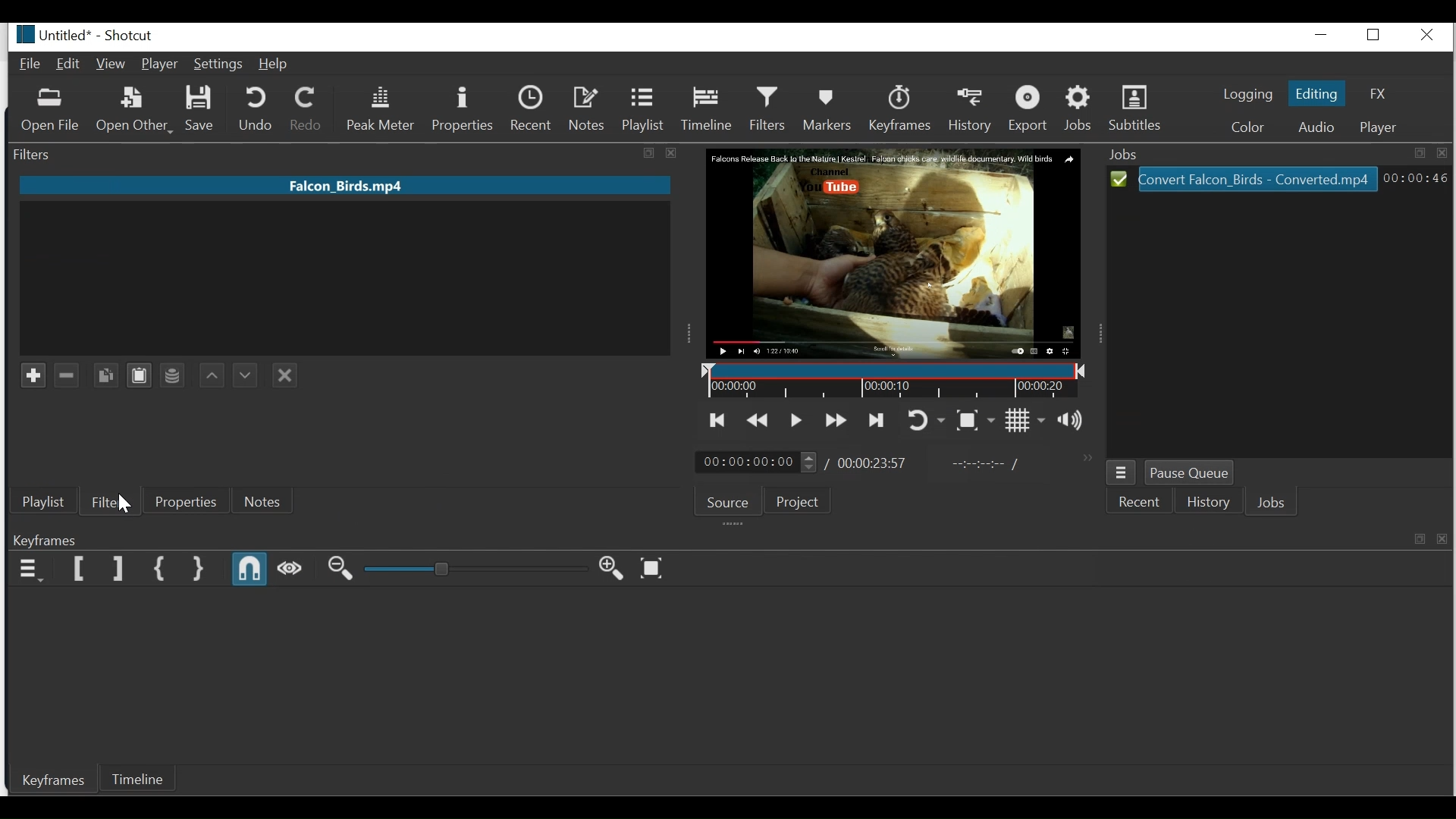 The image size is (1456, 819). What do you see at coordinates (139, 375) in the screenshot?
I see `Paste filter` at bounding box center [139, 375].